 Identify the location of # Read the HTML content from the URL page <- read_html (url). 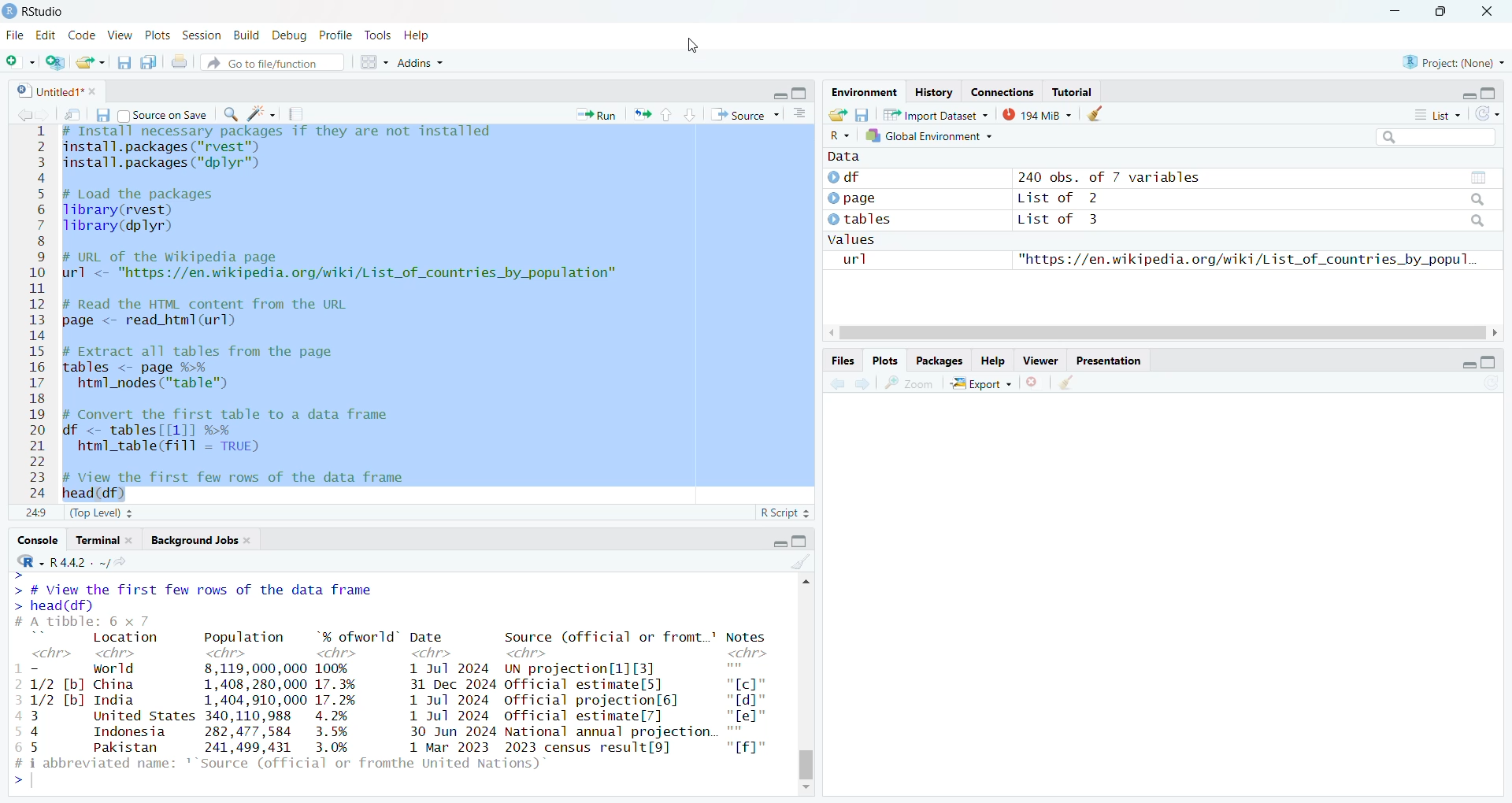
(215, 313).